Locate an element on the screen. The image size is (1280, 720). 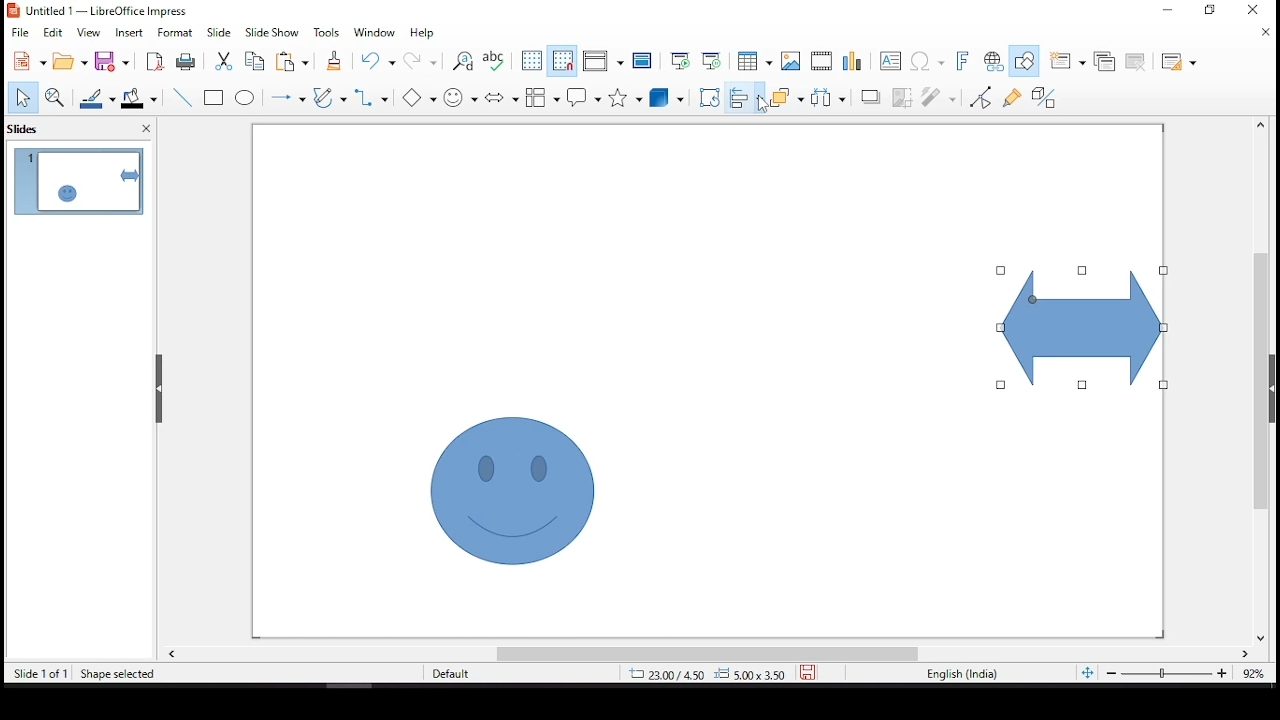
fit slide to current window is located at coordinates (1087, 672).